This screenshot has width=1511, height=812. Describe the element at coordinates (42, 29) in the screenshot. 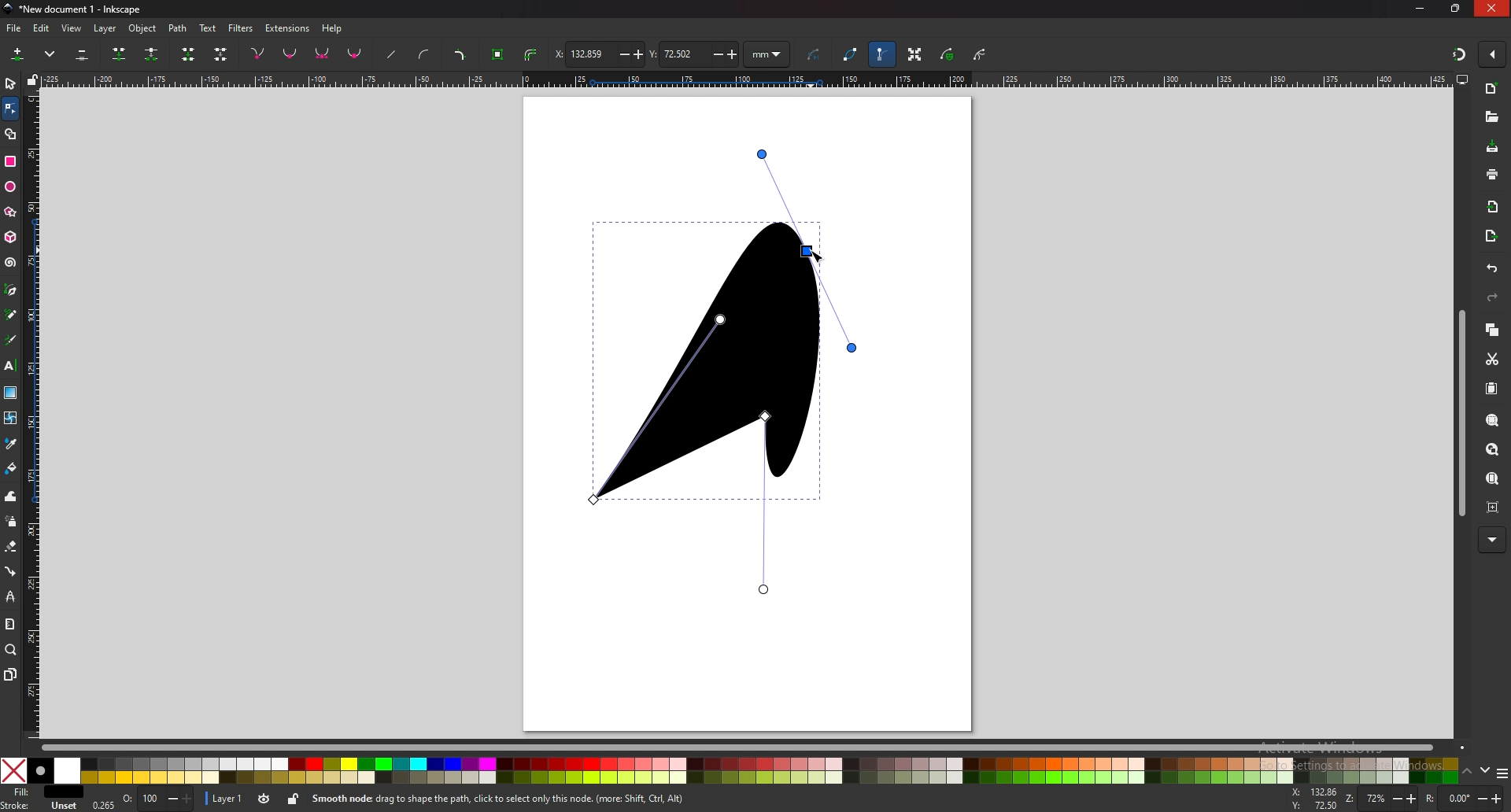

I see `edit` at that location.